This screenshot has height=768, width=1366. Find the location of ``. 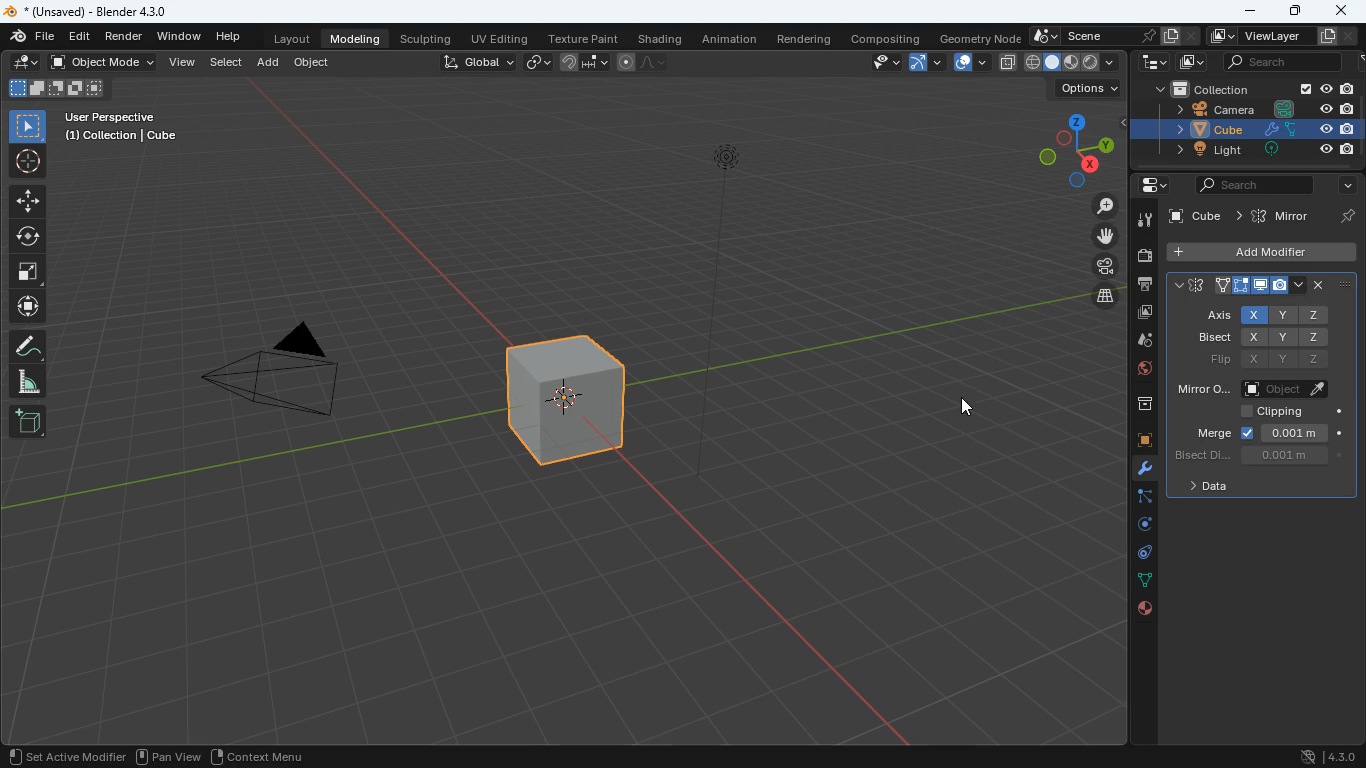

 is located at coordinates (1306, 89).